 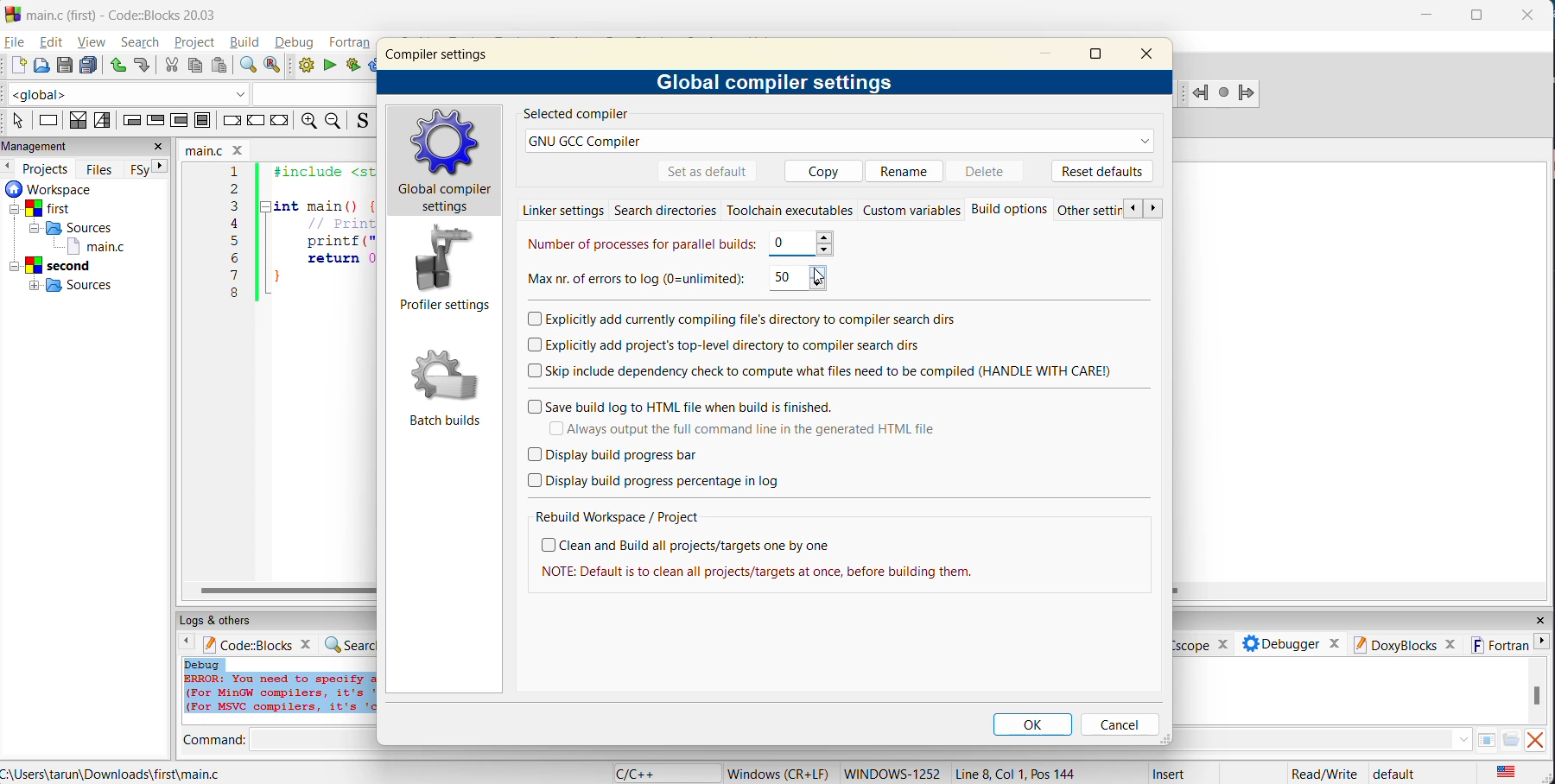 What do you see at coordinates (52, 42) in the screenshot?
I see `edit` at bounding box center [52, 42].